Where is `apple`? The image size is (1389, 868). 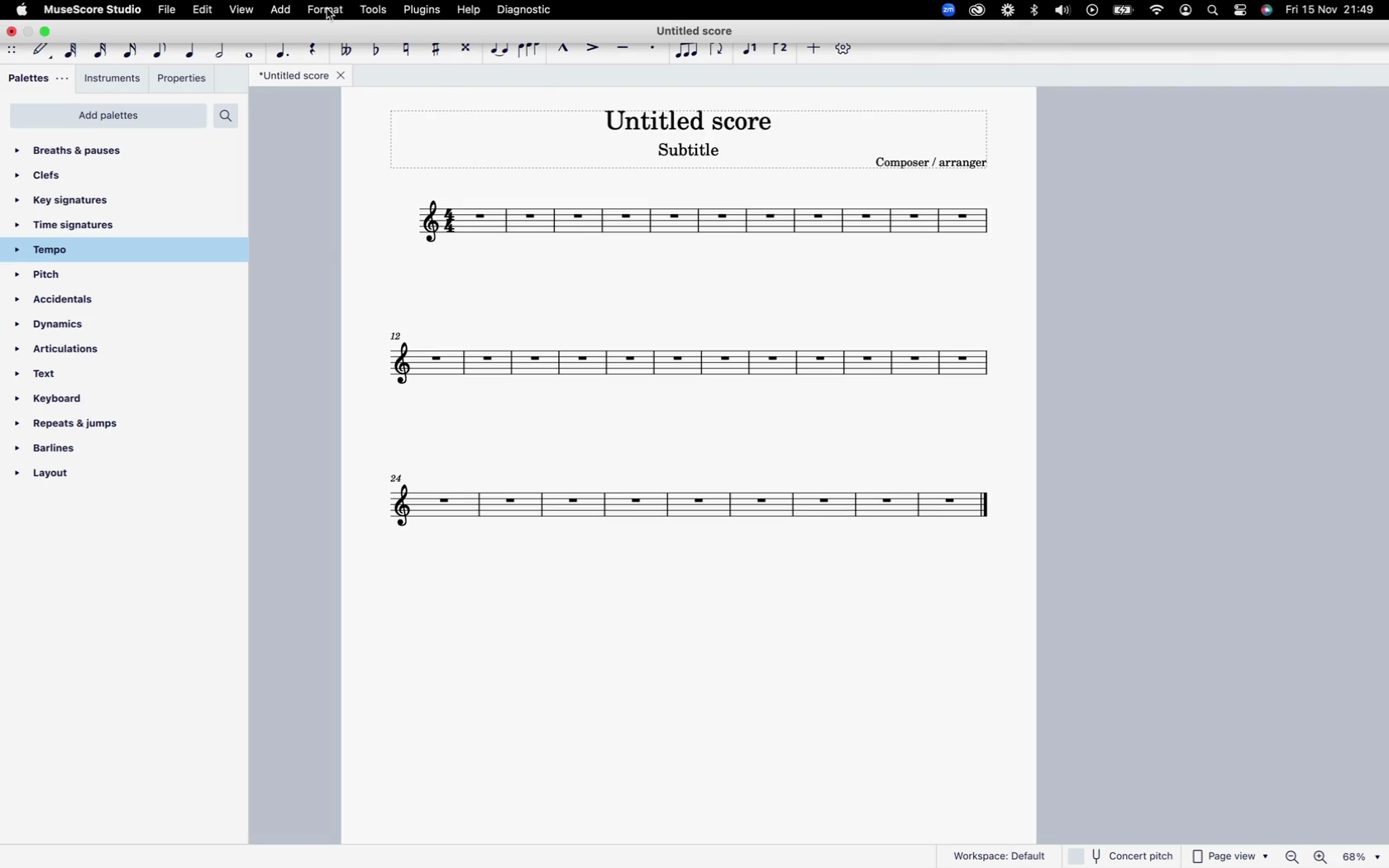 apple is located at coordinates (21, 9).